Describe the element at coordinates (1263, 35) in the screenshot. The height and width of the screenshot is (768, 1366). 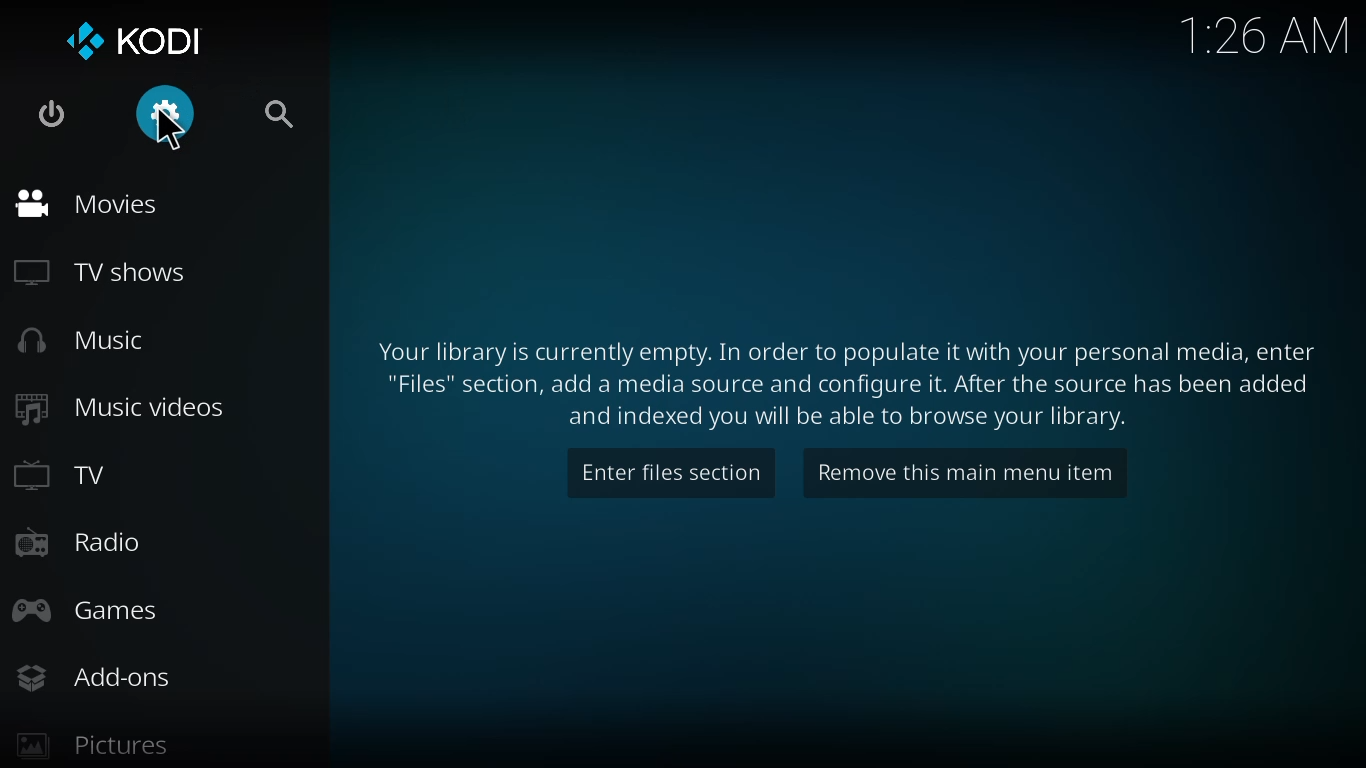
I see `time` at that location.